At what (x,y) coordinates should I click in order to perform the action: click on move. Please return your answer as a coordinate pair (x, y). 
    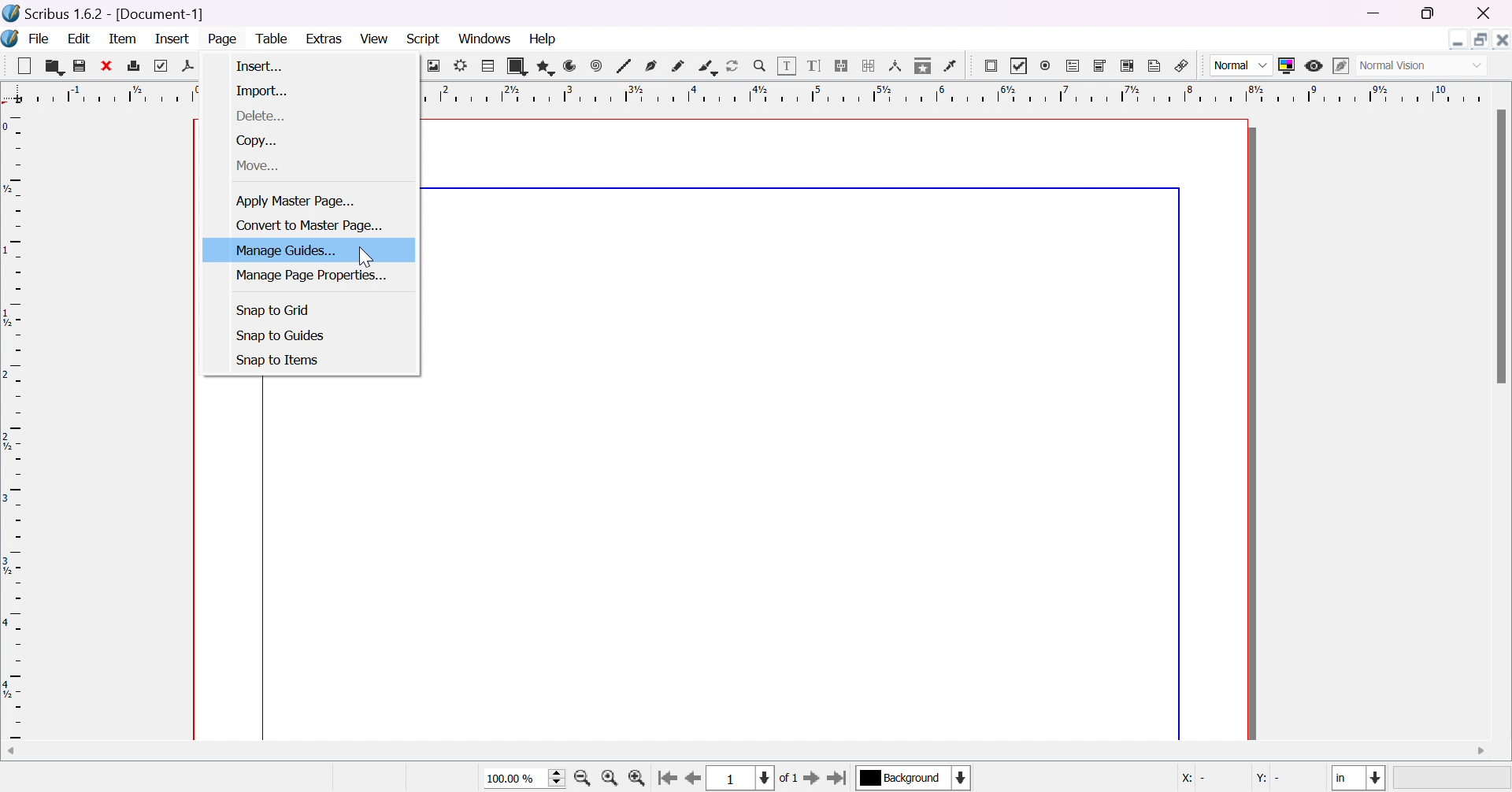
    Looking at the image, I should click on (267, 165).